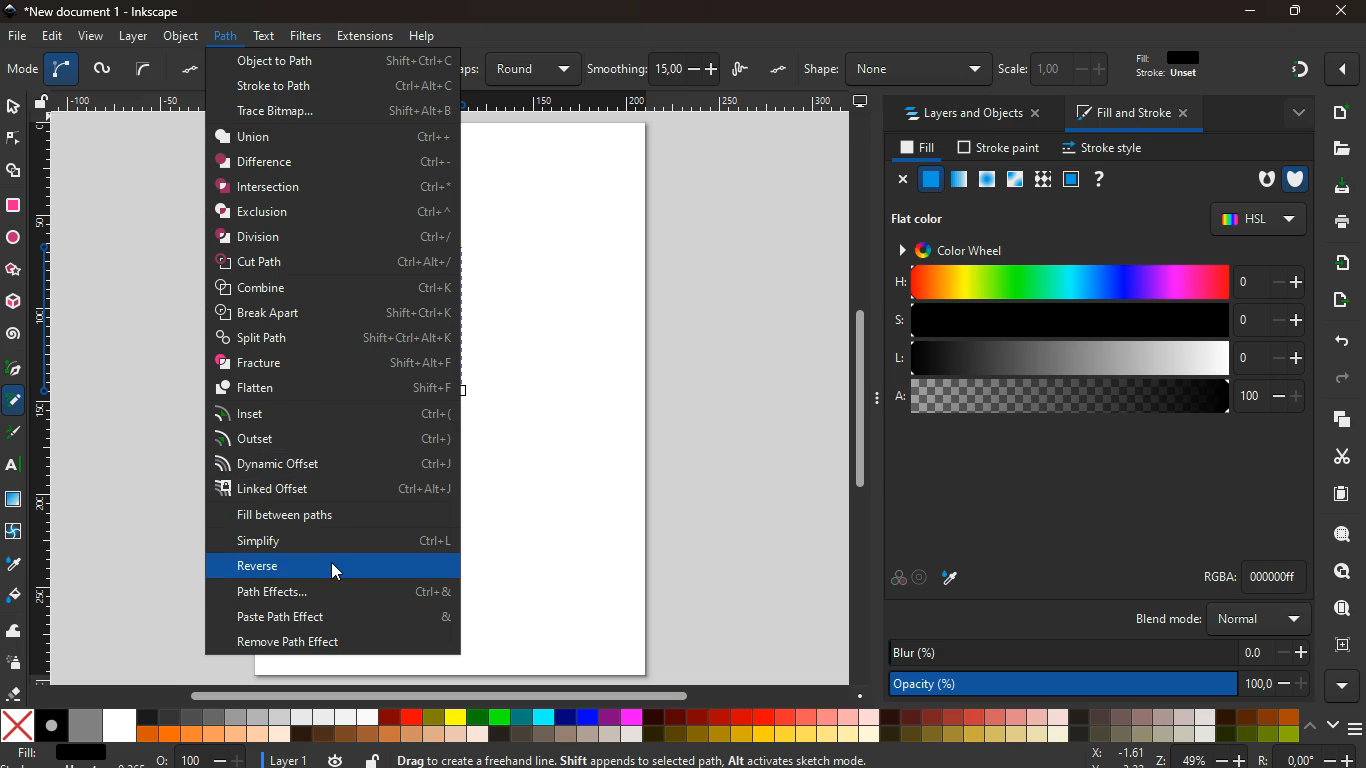  Describe the element at coordinates (780, 70) in the screenshot. I see `dots` at that location.